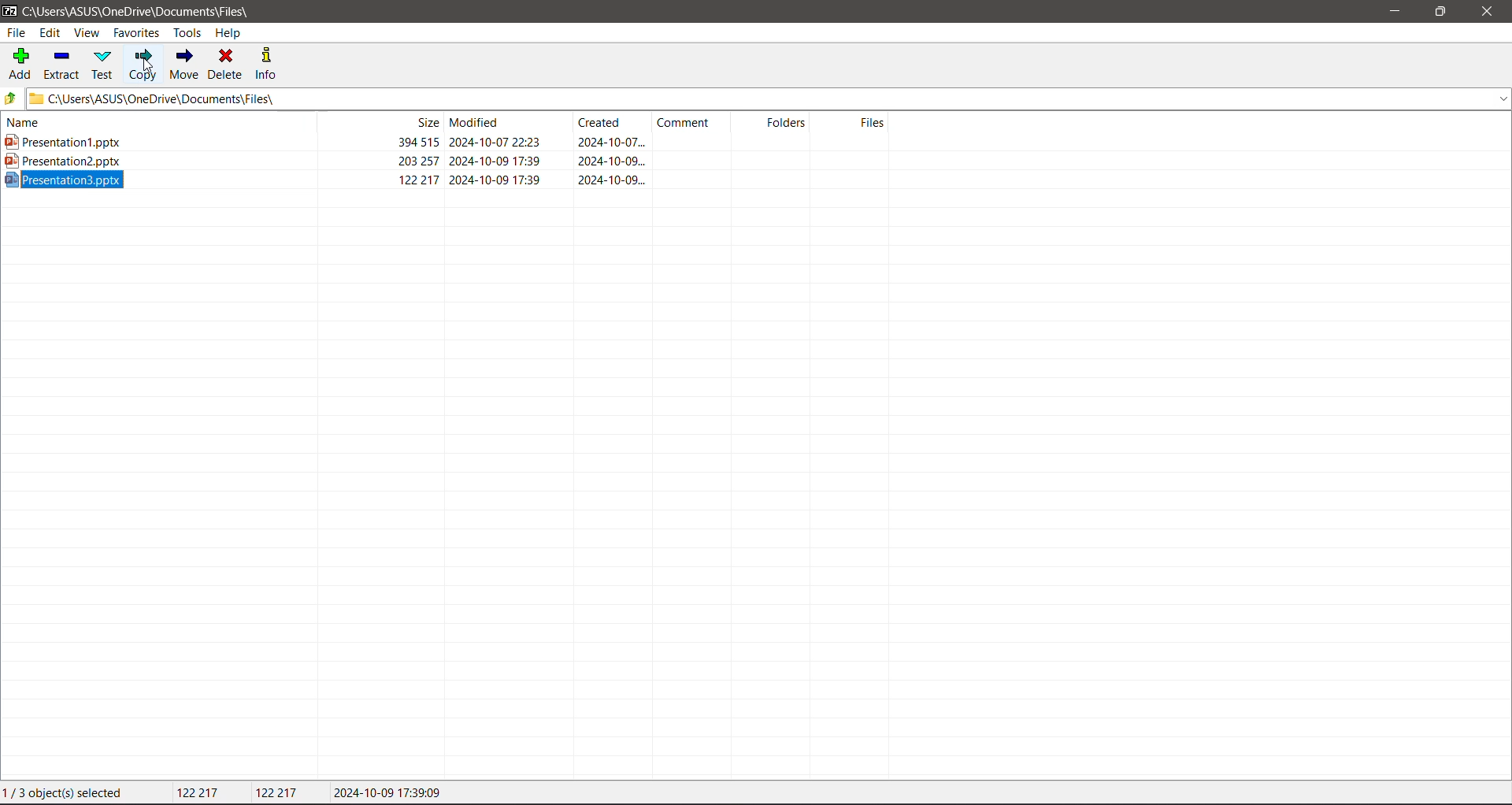 This screenshot has width=1512, height=805. What do you see at coordinates (13, 98) in the screenshot?
I see `Move Up one level` at bounding box center [13, 98].